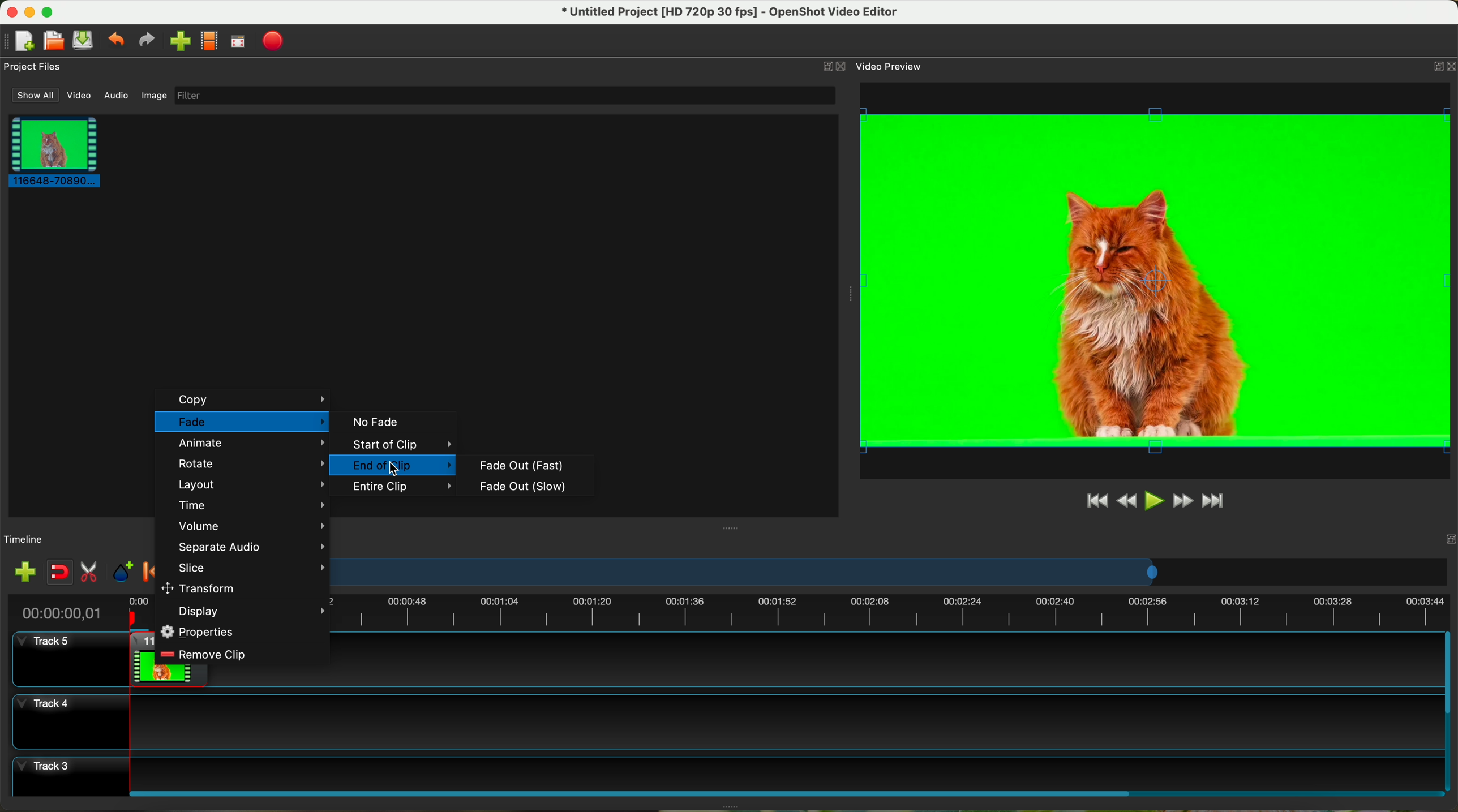 This screenshot has width=1458, height=812. Describe the element at coordinates (1096, 500) in the screenshot. I see `jump to start` at that location.